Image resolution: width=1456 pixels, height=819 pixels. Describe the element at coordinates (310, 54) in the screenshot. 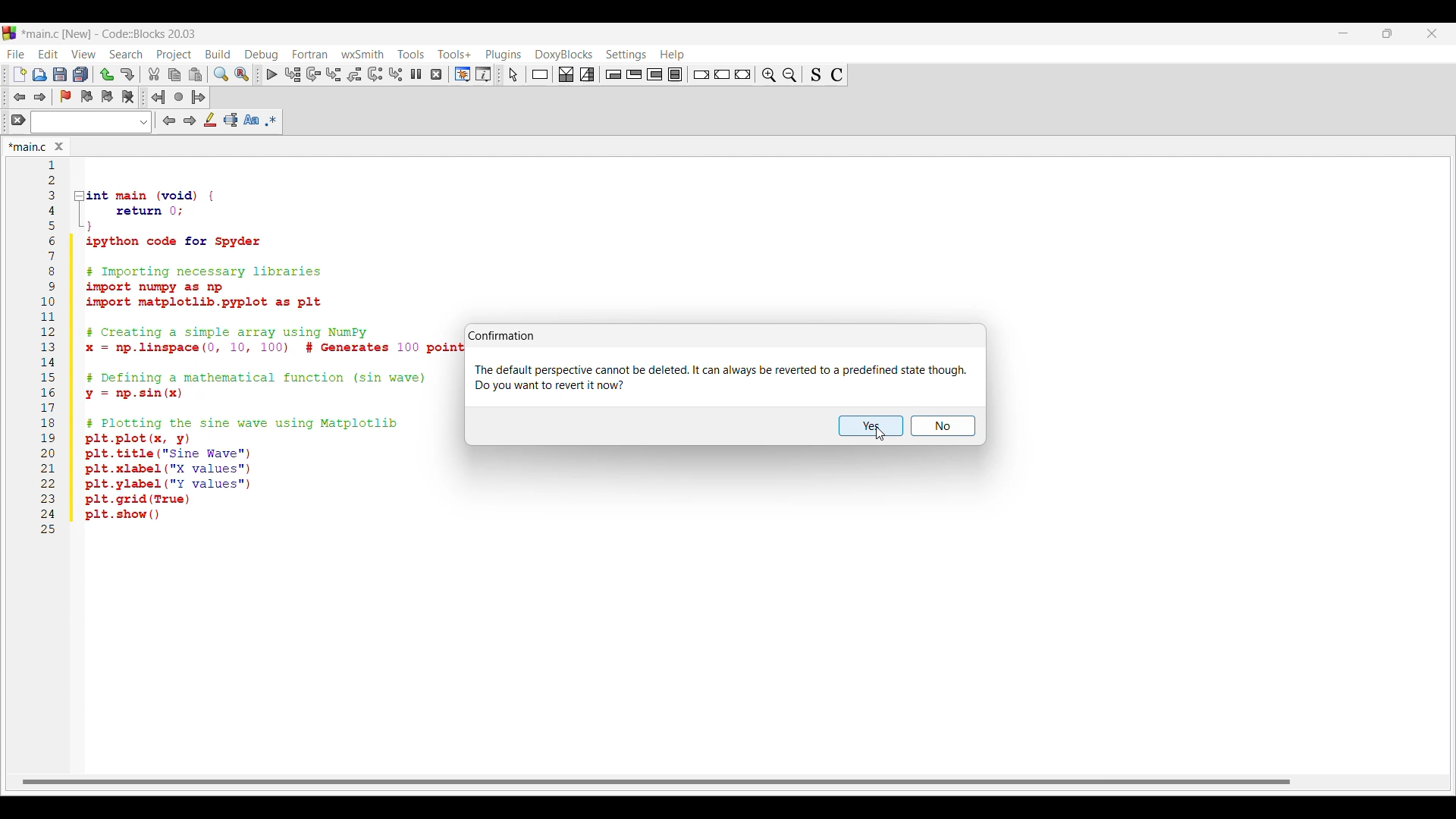

I see `Fortran menu` at that location.